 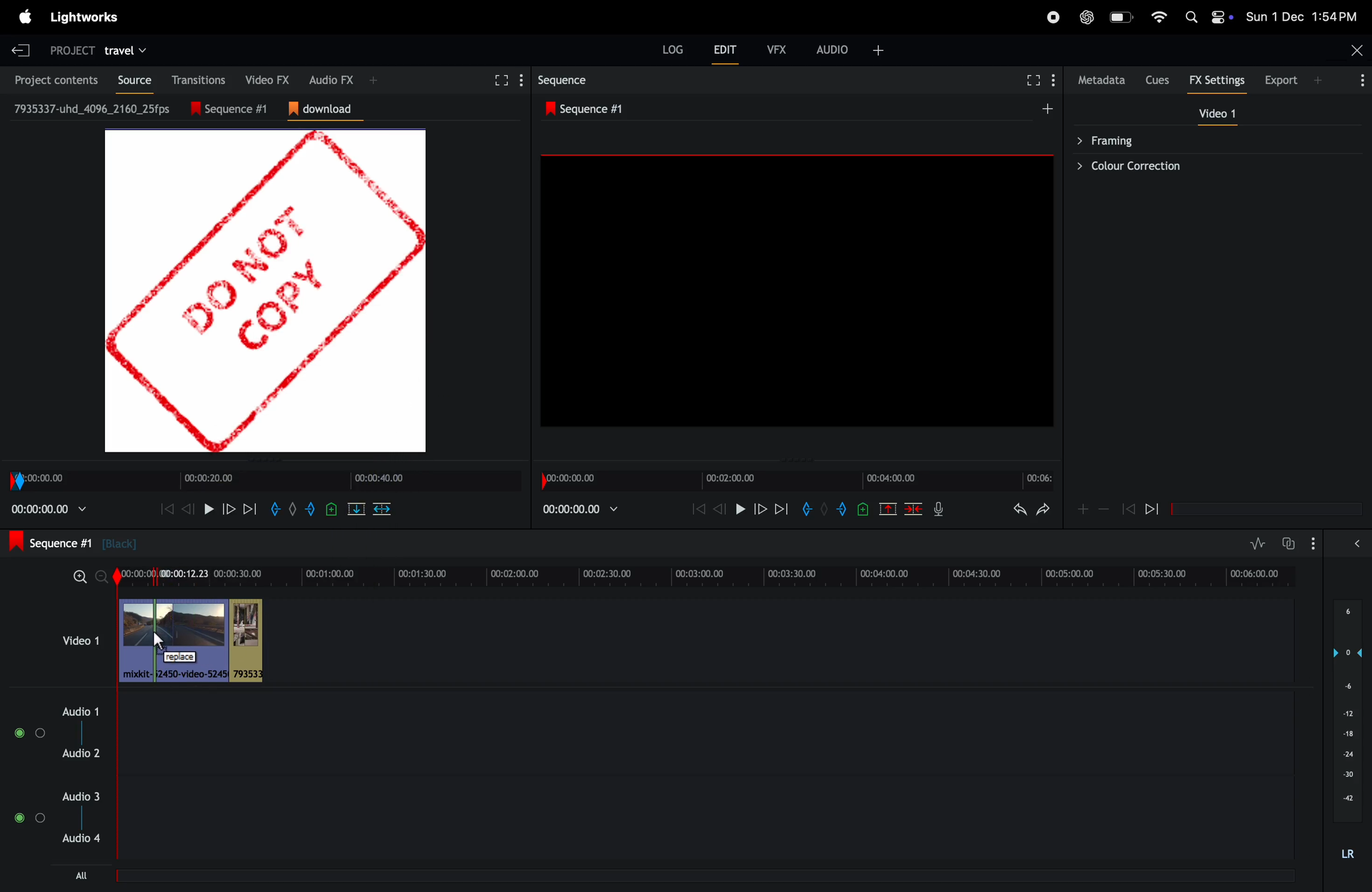 I want to click on Add, so click(x=1083, y=509).